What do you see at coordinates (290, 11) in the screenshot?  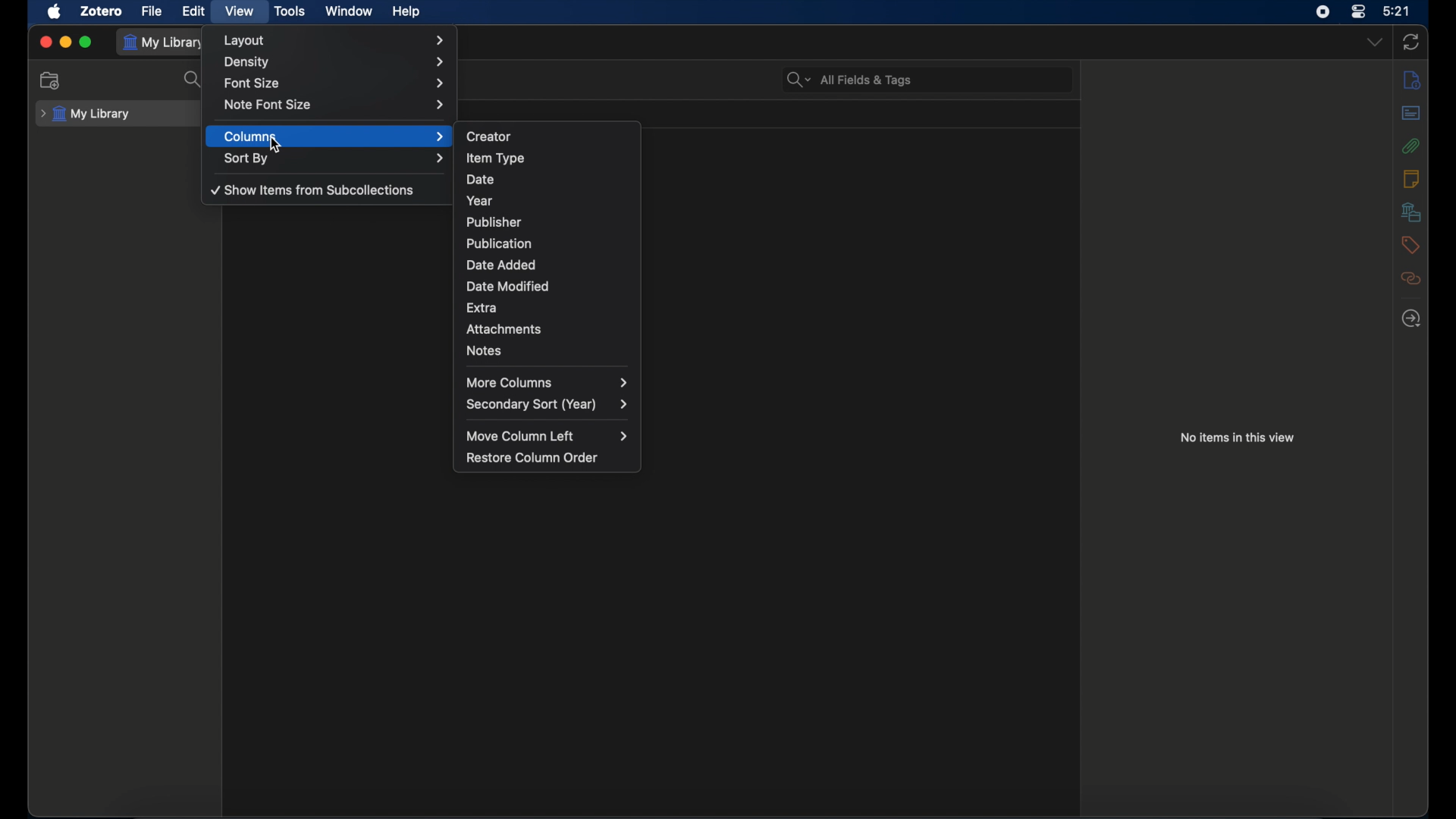 I see `tools` at bounding box center [290, 11].